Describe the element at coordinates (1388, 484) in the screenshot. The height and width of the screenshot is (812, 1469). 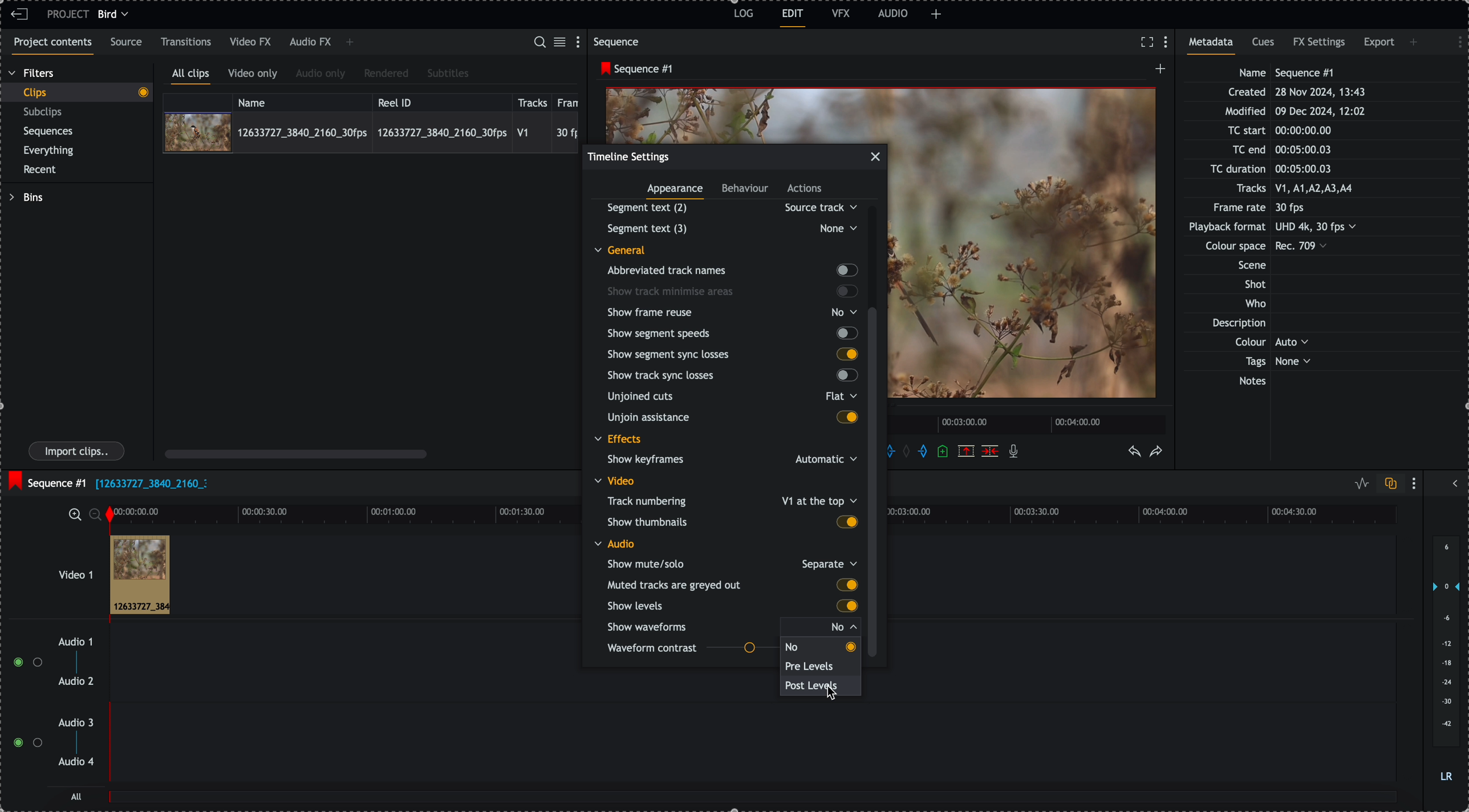
I see `toggle auto track sync` at that location.